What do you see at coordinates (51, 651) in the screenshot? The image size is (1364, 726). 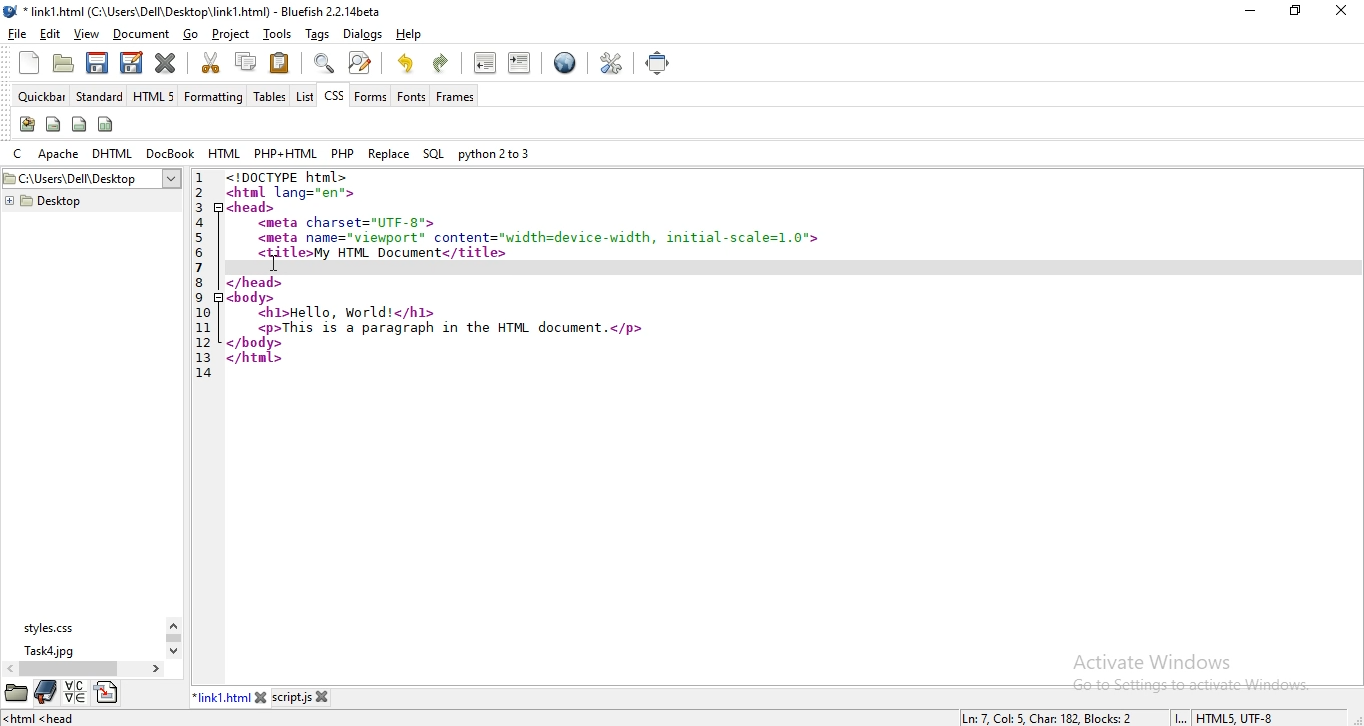 I see `task4` at bounding box center [51, 651].